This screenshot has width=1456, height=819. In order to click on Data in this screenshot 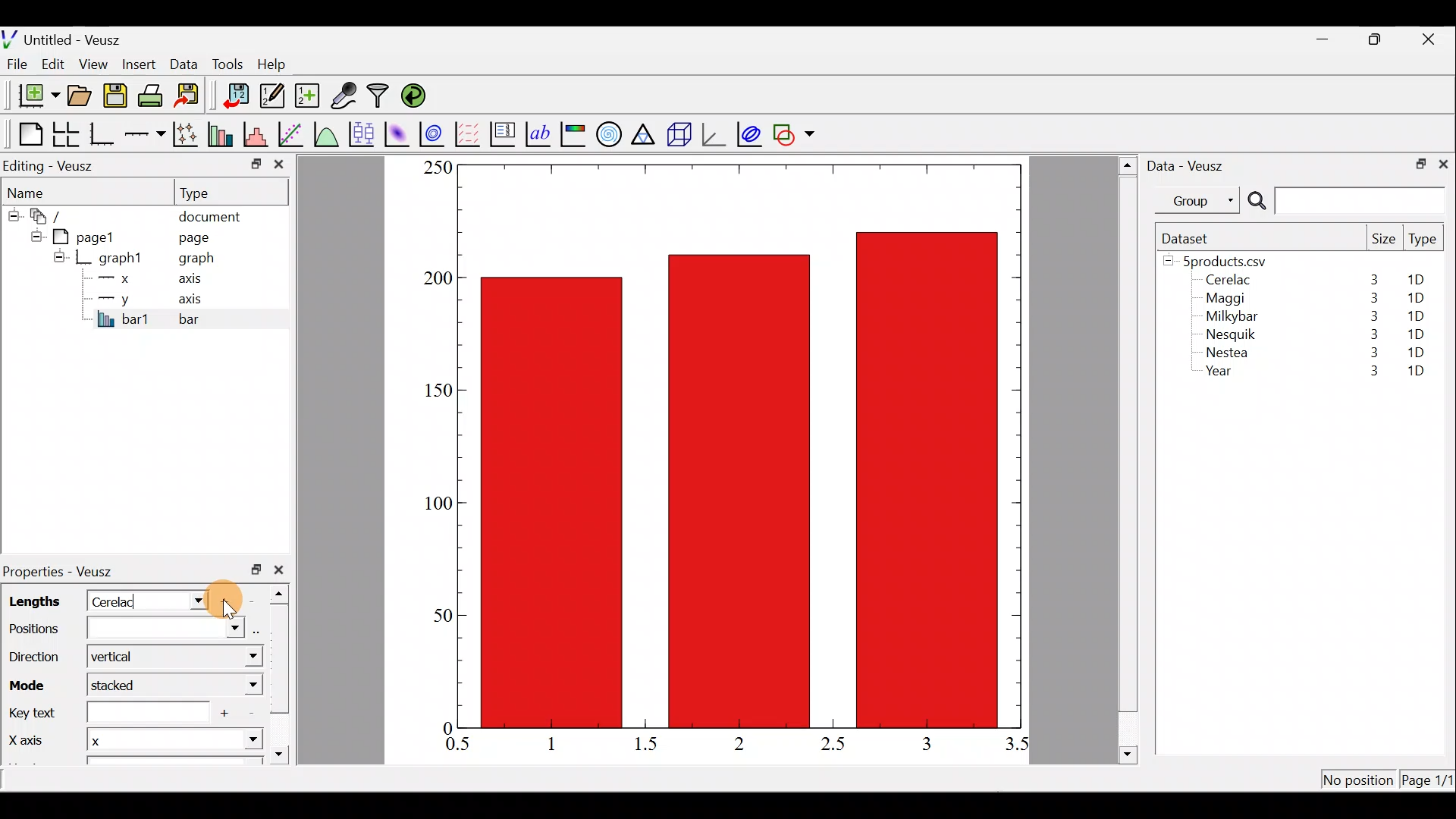, I will do `click(184, 63)`.